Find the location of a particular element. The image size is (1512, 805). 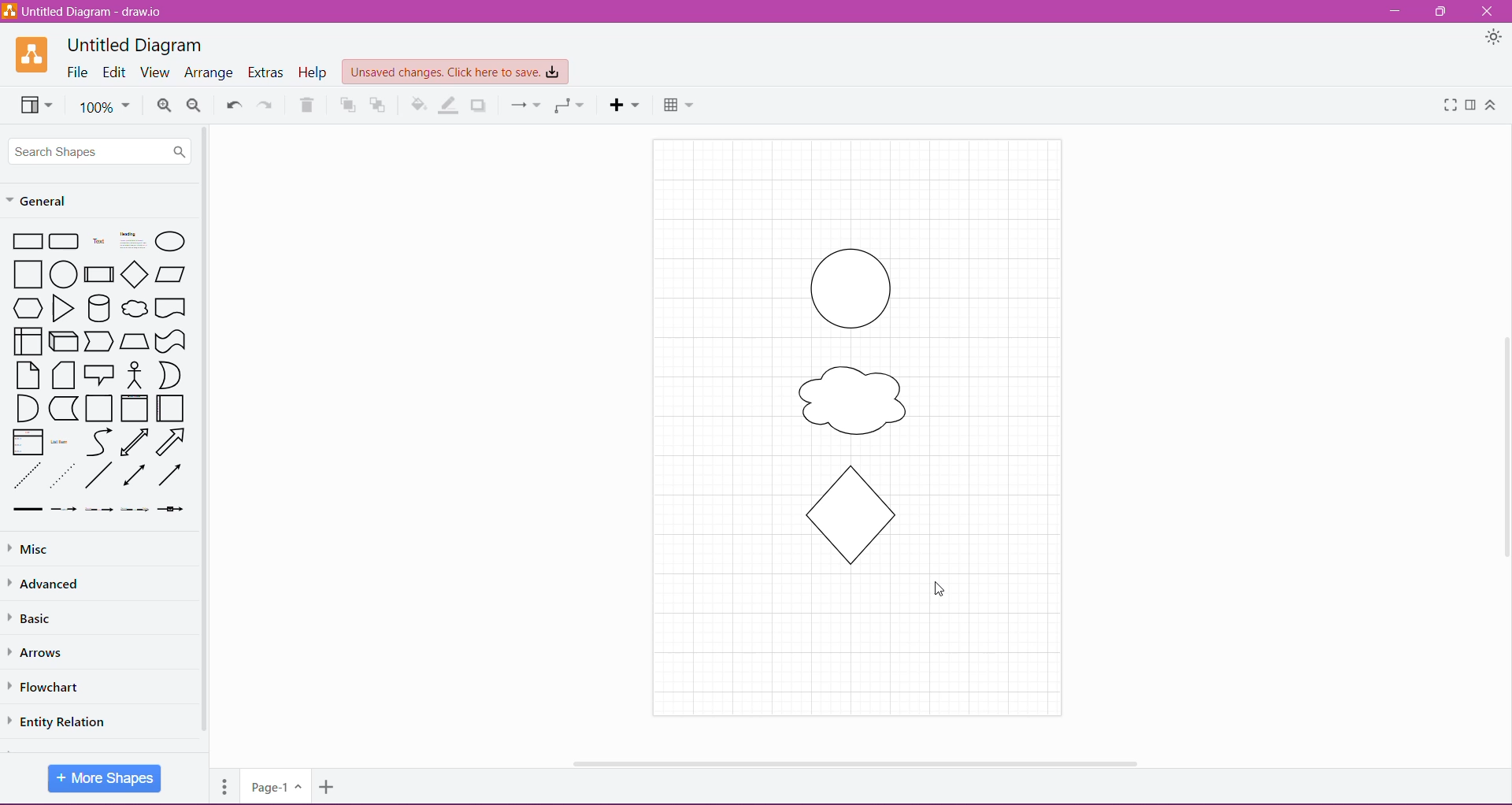

Available shapes in General is located at coordinates (99, 373).